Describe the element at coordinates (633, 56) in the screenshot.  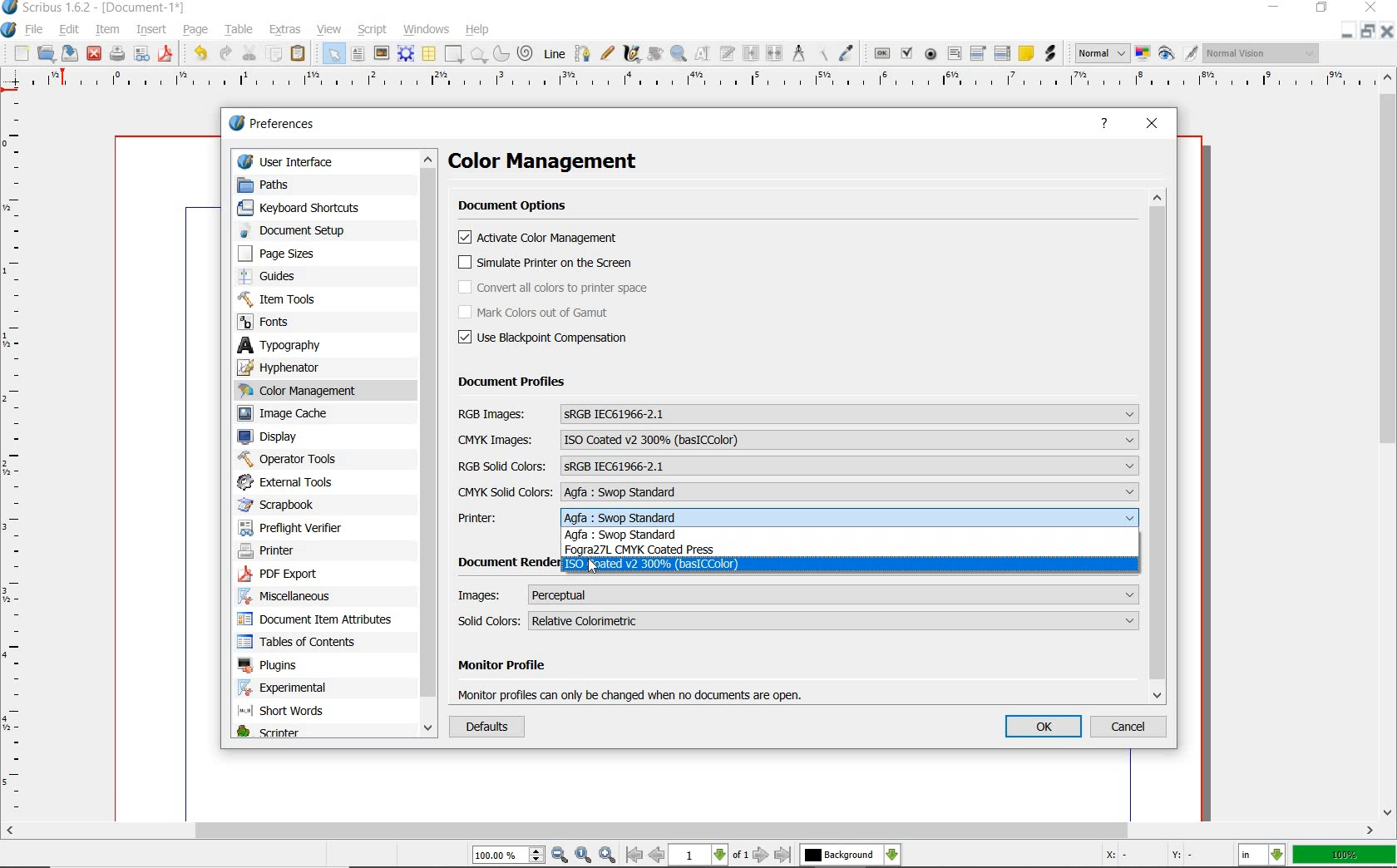
I see `calligraphic line` at that location.